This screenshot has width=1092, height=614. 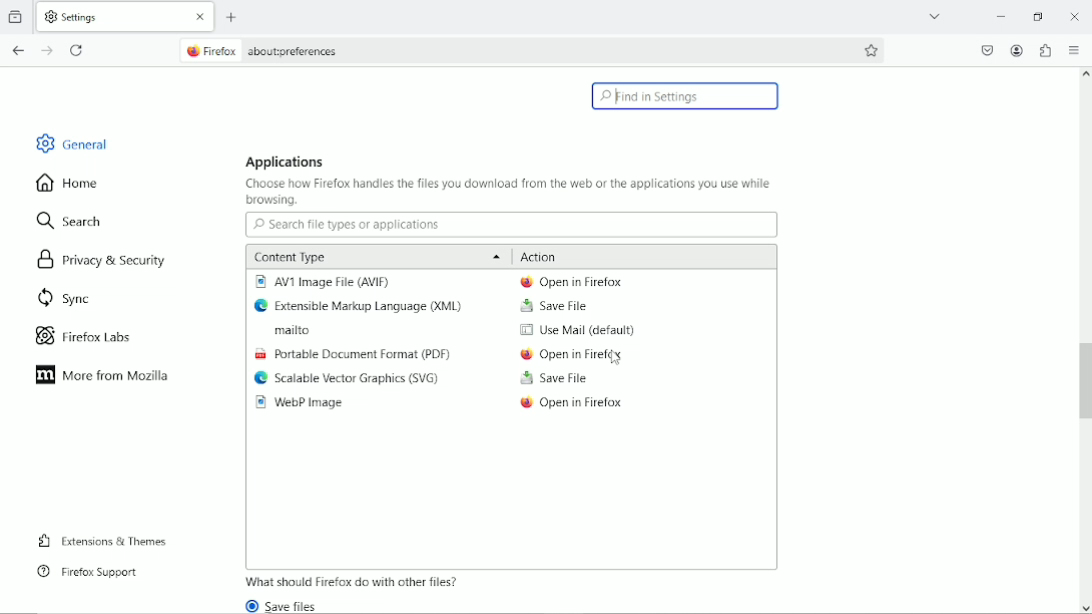 What do you see at coordinates (1075, 50) in the screenshot?
I see `Open application menu` at bounding box center [1075, 50].